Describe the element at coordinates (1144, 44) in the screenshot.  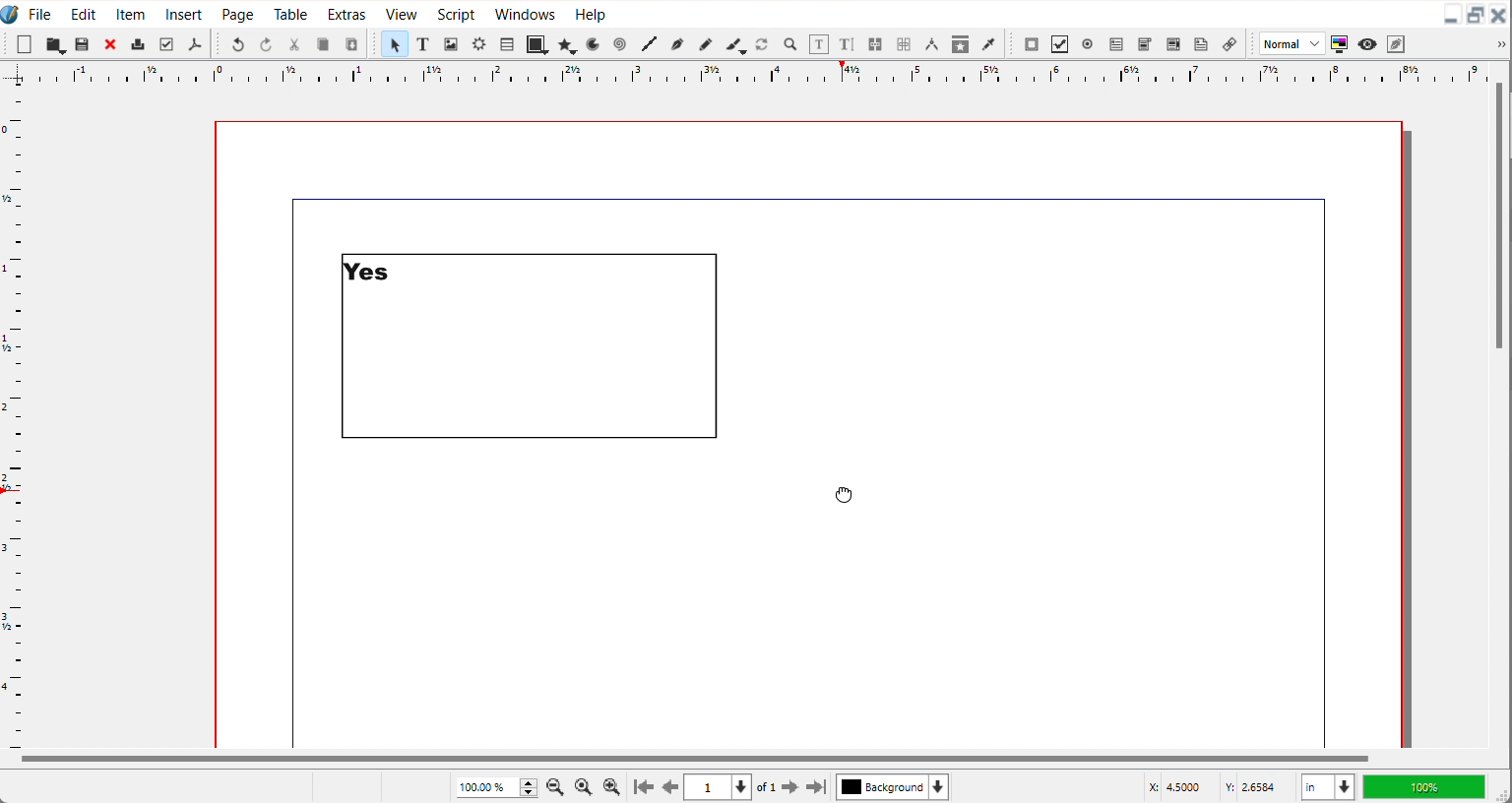
I see `PDF Combo button` at that location.